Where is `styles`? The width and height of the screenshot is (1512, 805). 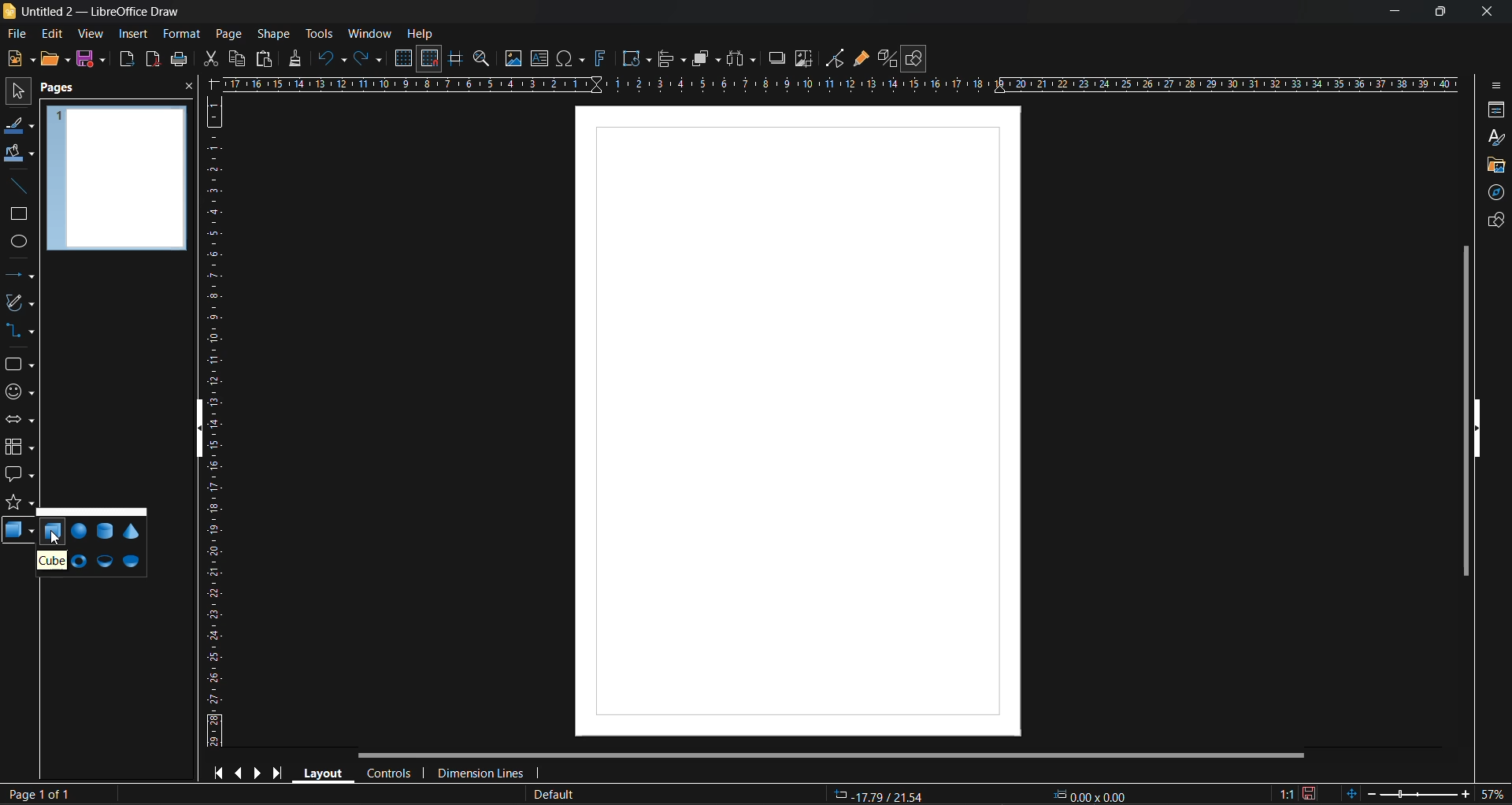 styles is located at coordinates (1494, 137).